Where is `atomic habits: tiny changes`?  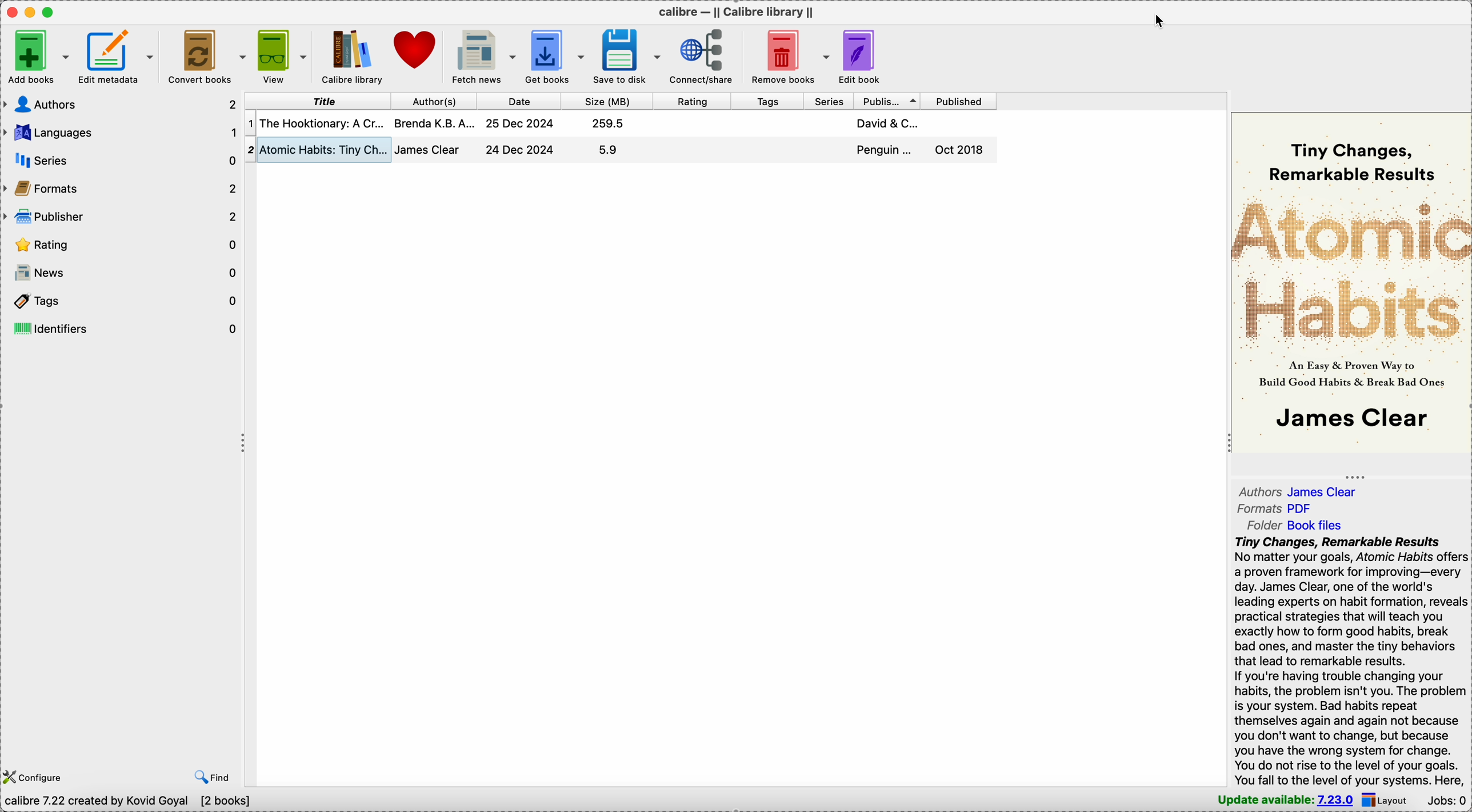
atomic habits: tiny changes is located at coordinates (323, 150).